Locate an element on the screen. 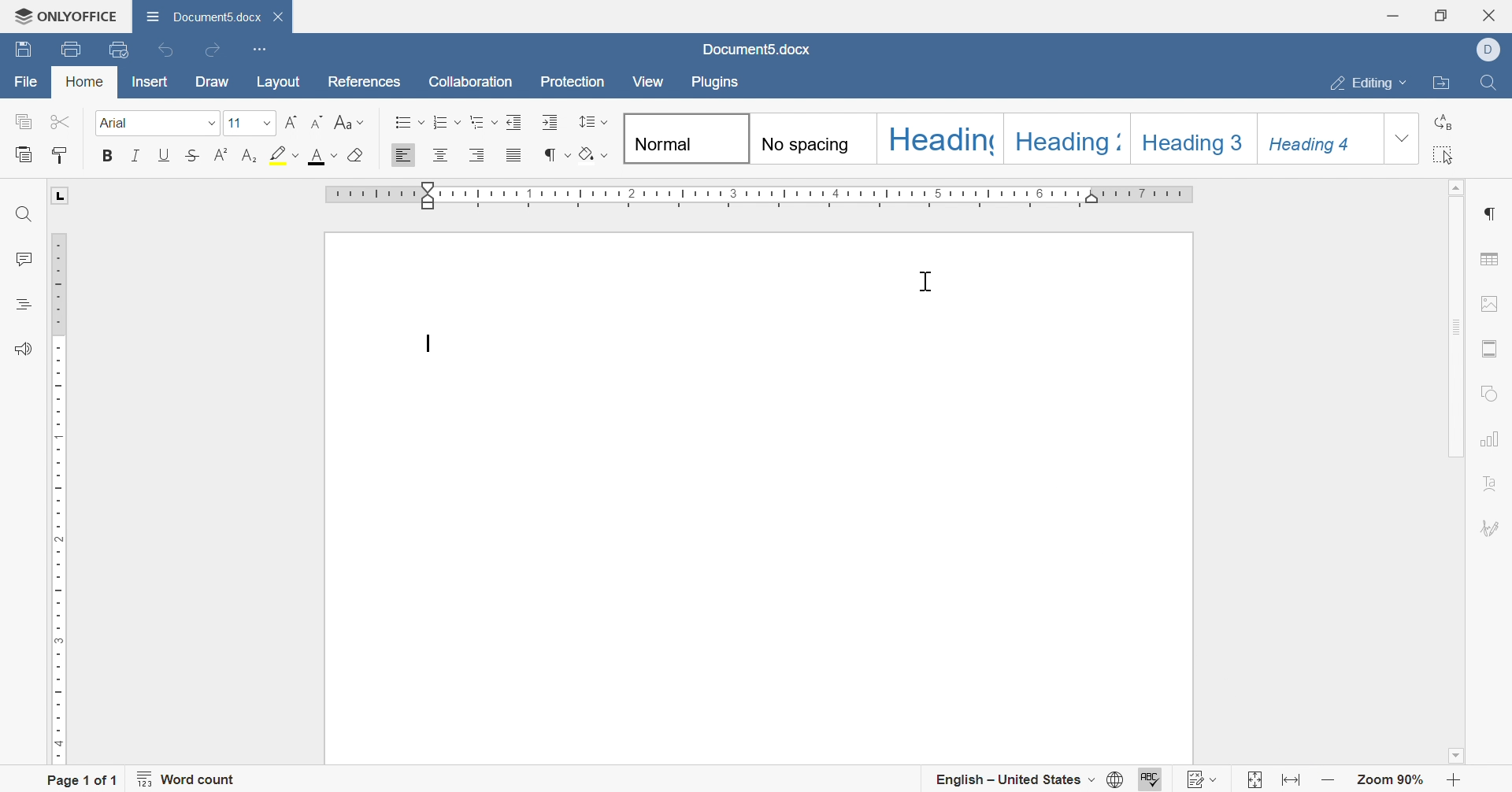  fit to page is located at coordinates (1251, 781).